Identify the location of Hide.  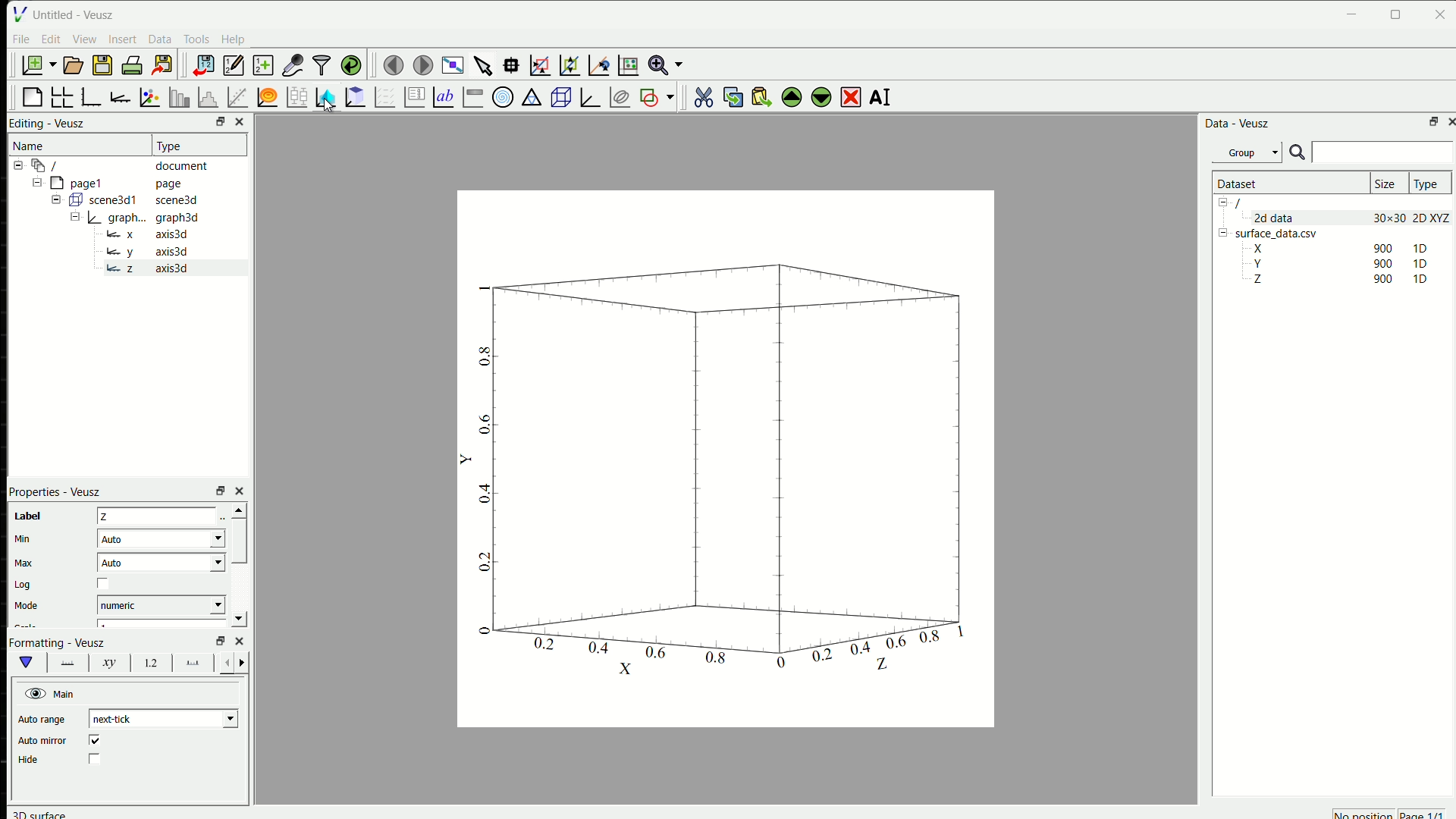
(29, 759).